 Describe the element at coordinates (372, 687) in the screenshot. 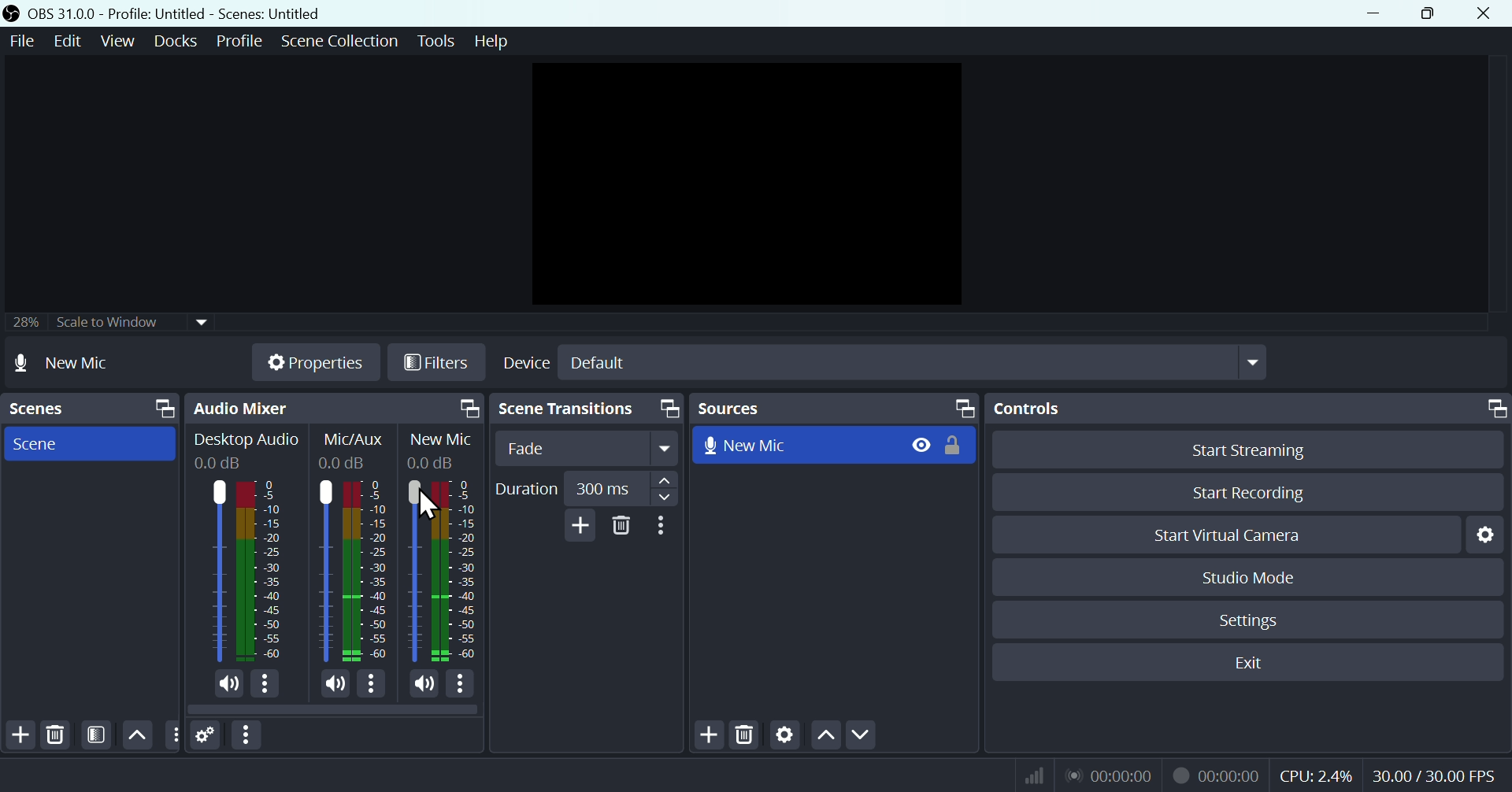

I see `More options` at that location.